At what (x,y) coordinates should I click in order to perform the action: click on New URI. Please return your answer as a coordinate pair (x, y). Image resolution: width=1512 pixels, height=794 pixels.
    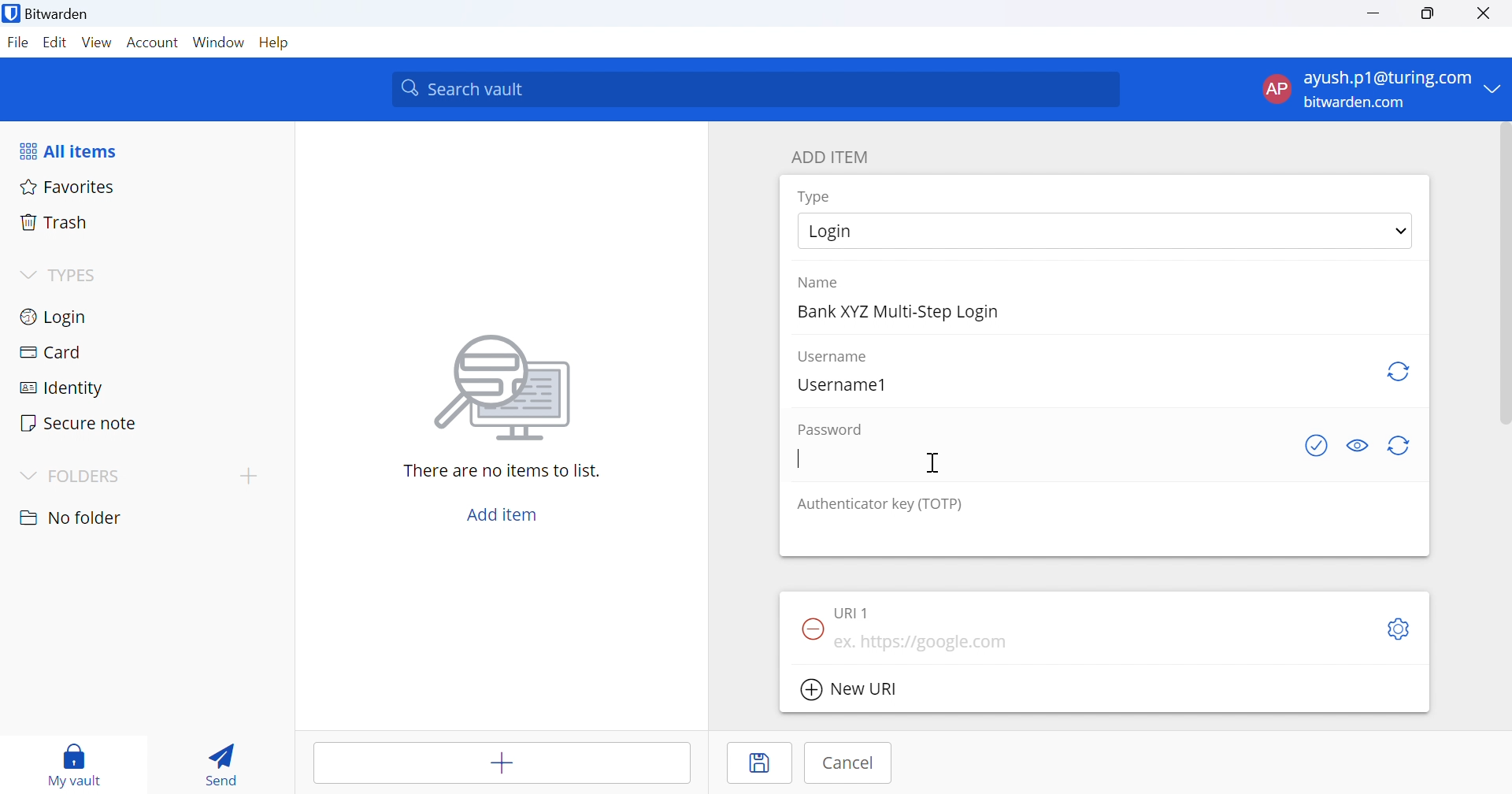
    Looking at the image, I should click on (848, 690).